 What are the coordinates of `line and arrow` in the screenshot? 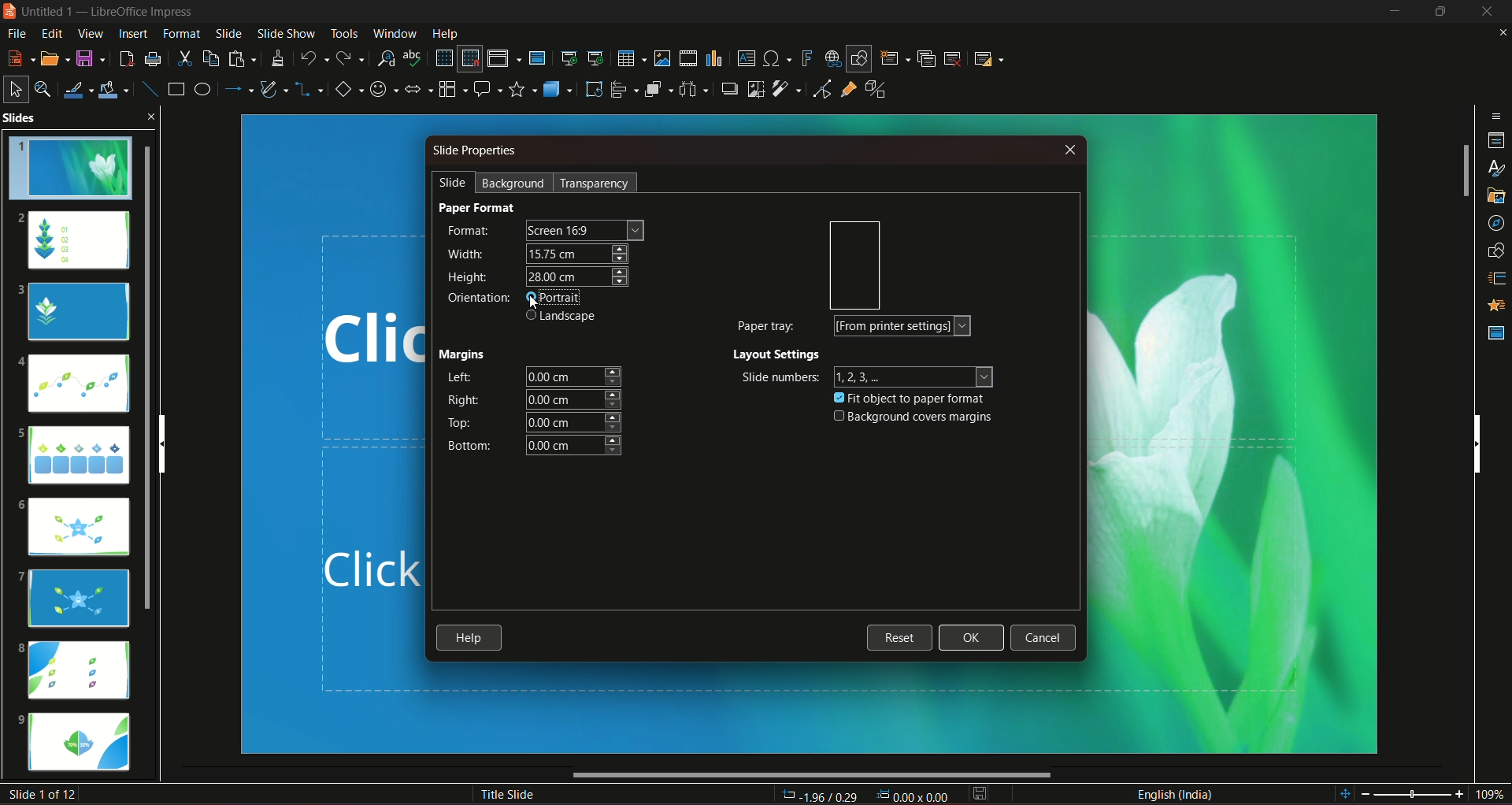 It's located at (239, 89).